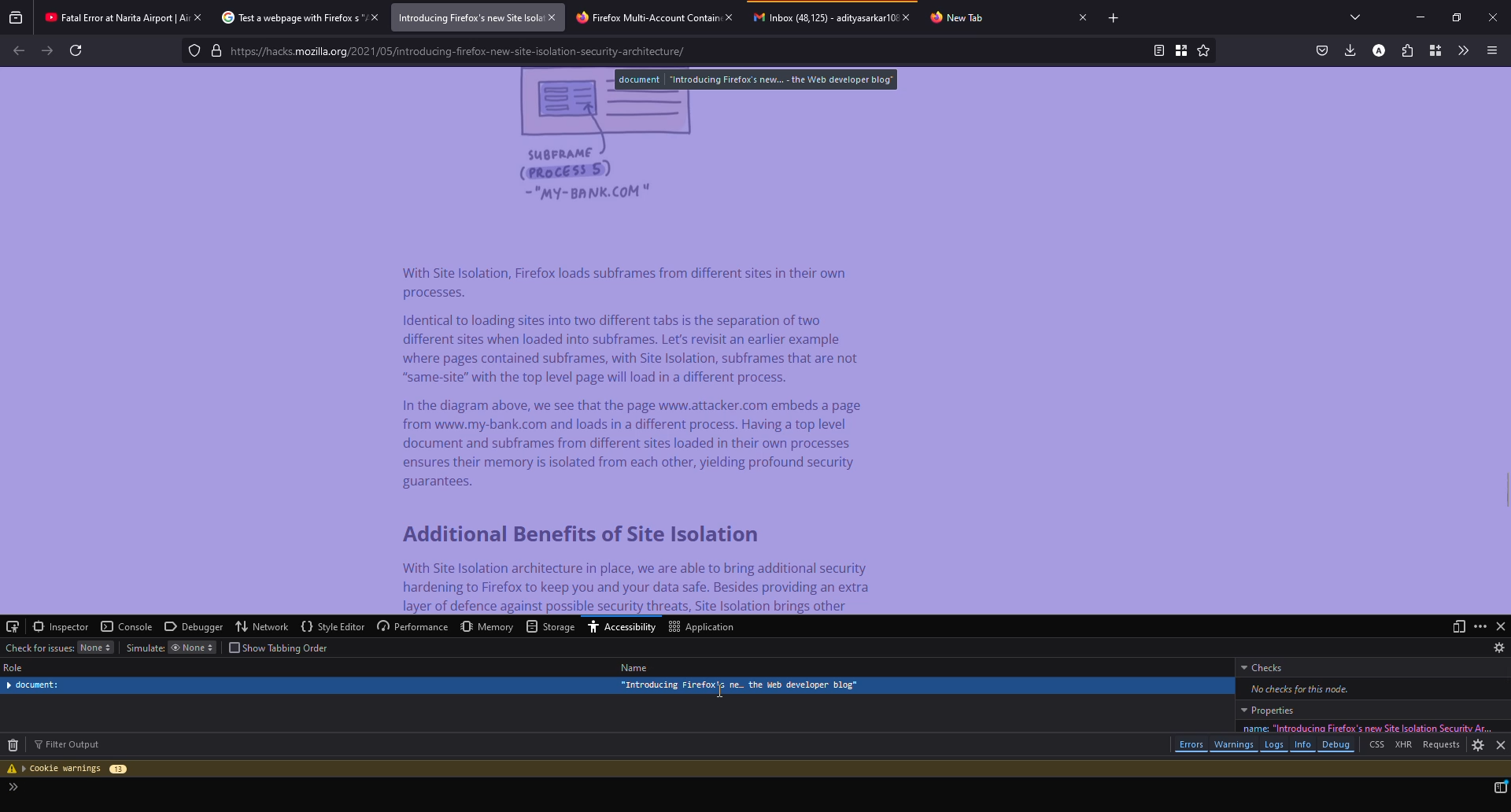 This screenshot has height=812, width=1511. Describe the element at coordinates (60, 626) in the screenshot. I see `inspector` at that location.